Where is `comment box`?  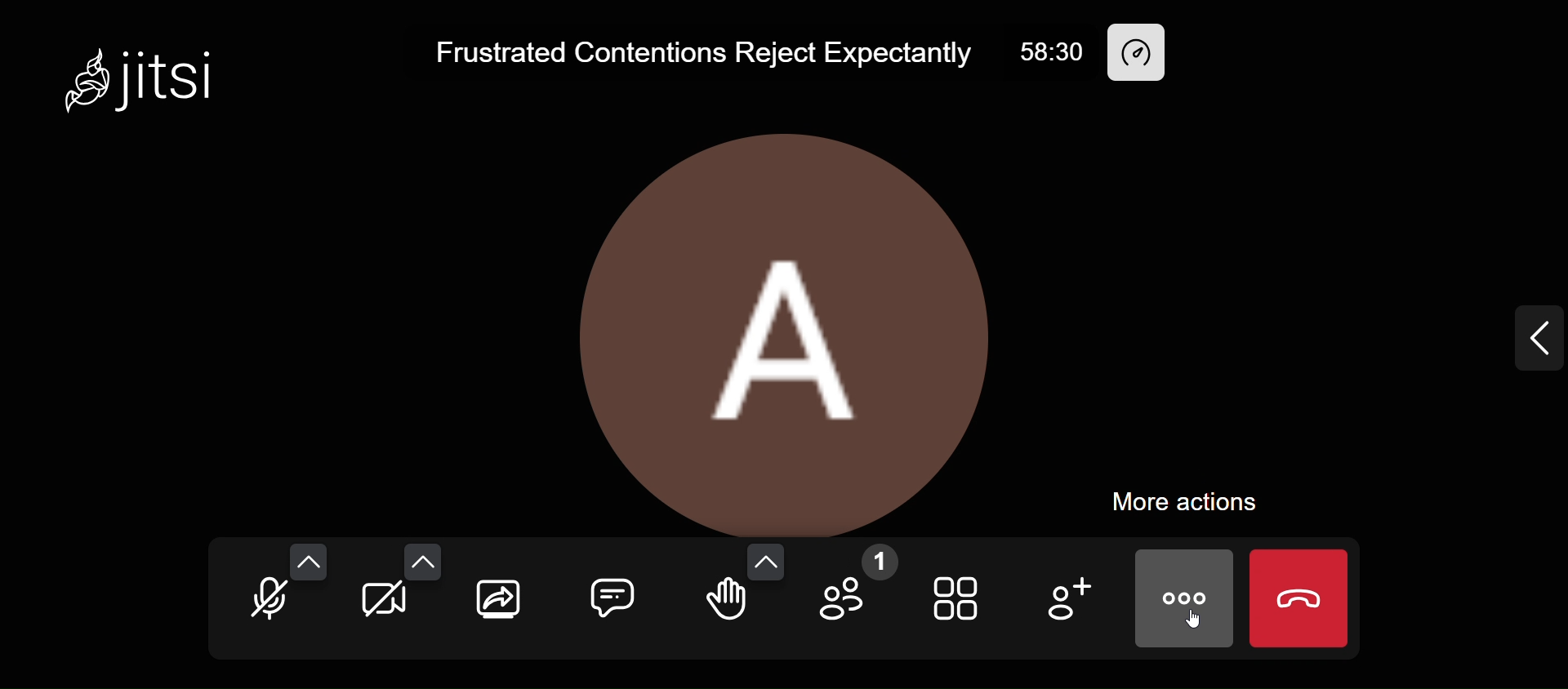
comment box is located at coordinates (624, 594).